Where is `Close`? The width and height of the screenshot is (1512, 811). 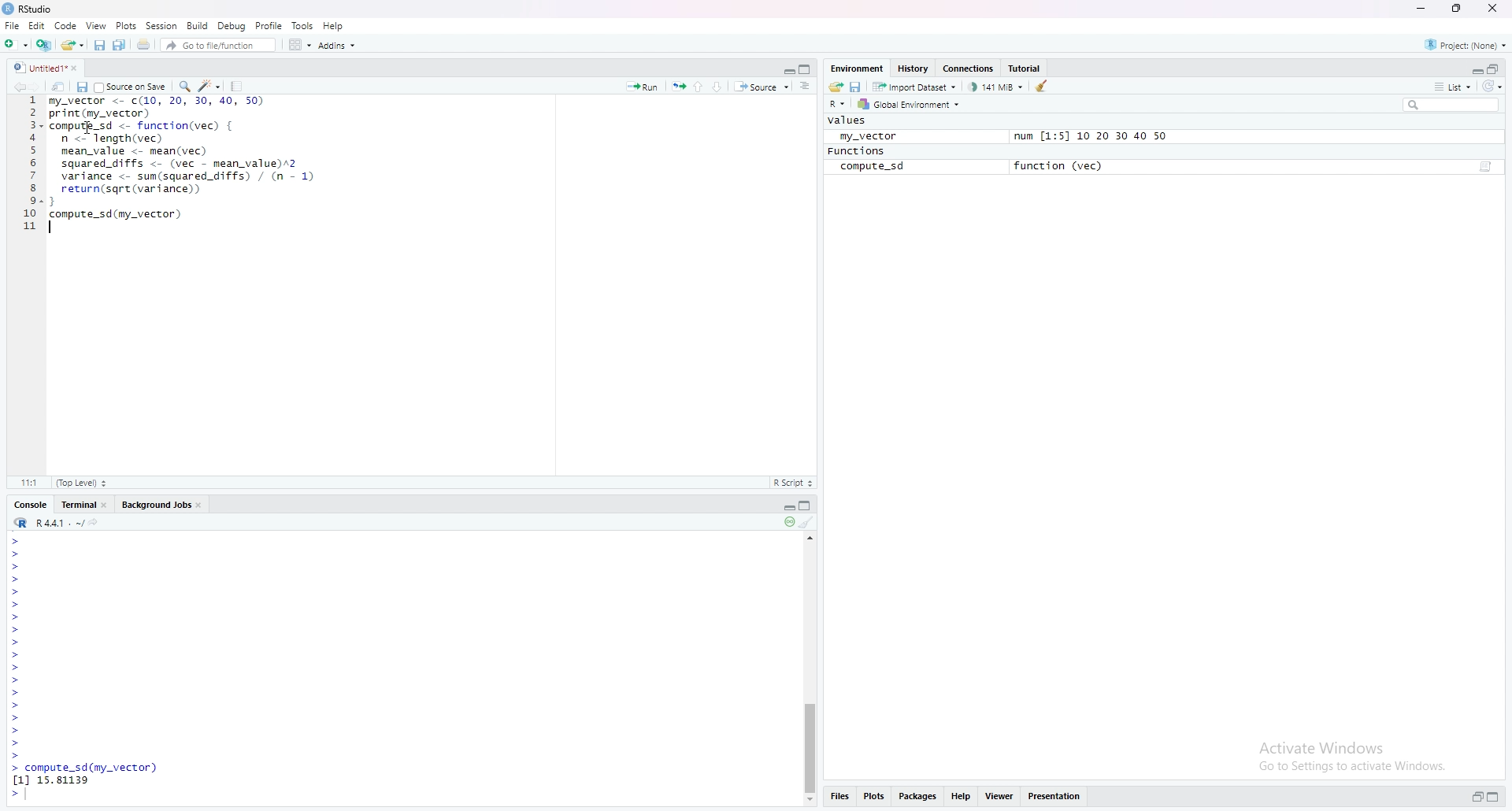 Close is located at coordinates (80, 69).